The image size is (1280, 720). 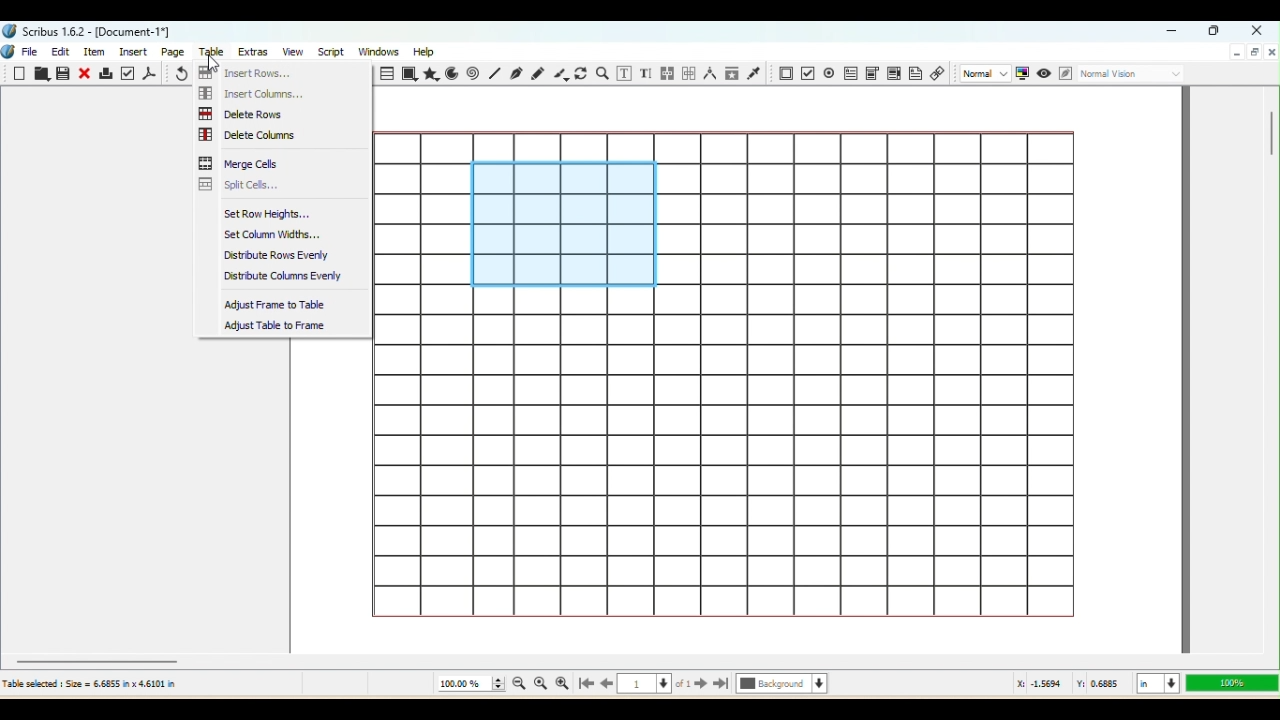 I want to click on Close, so click(x=86, y=73).